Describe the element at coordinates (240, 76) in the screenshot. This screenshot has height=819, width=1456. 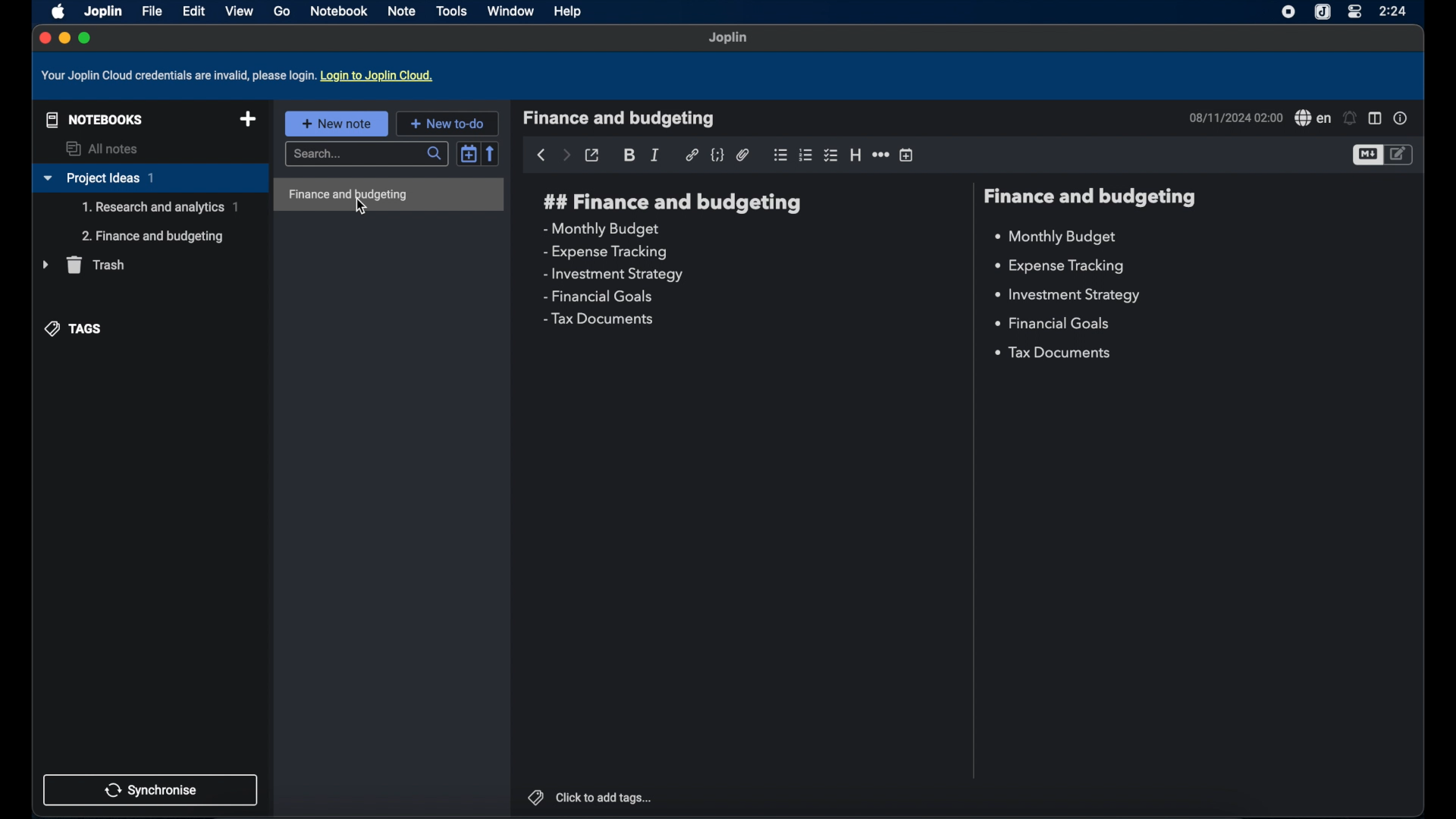
I see `your joplin cloud credentials are invalid, please log in.  log in to joplin cloud` at that location.